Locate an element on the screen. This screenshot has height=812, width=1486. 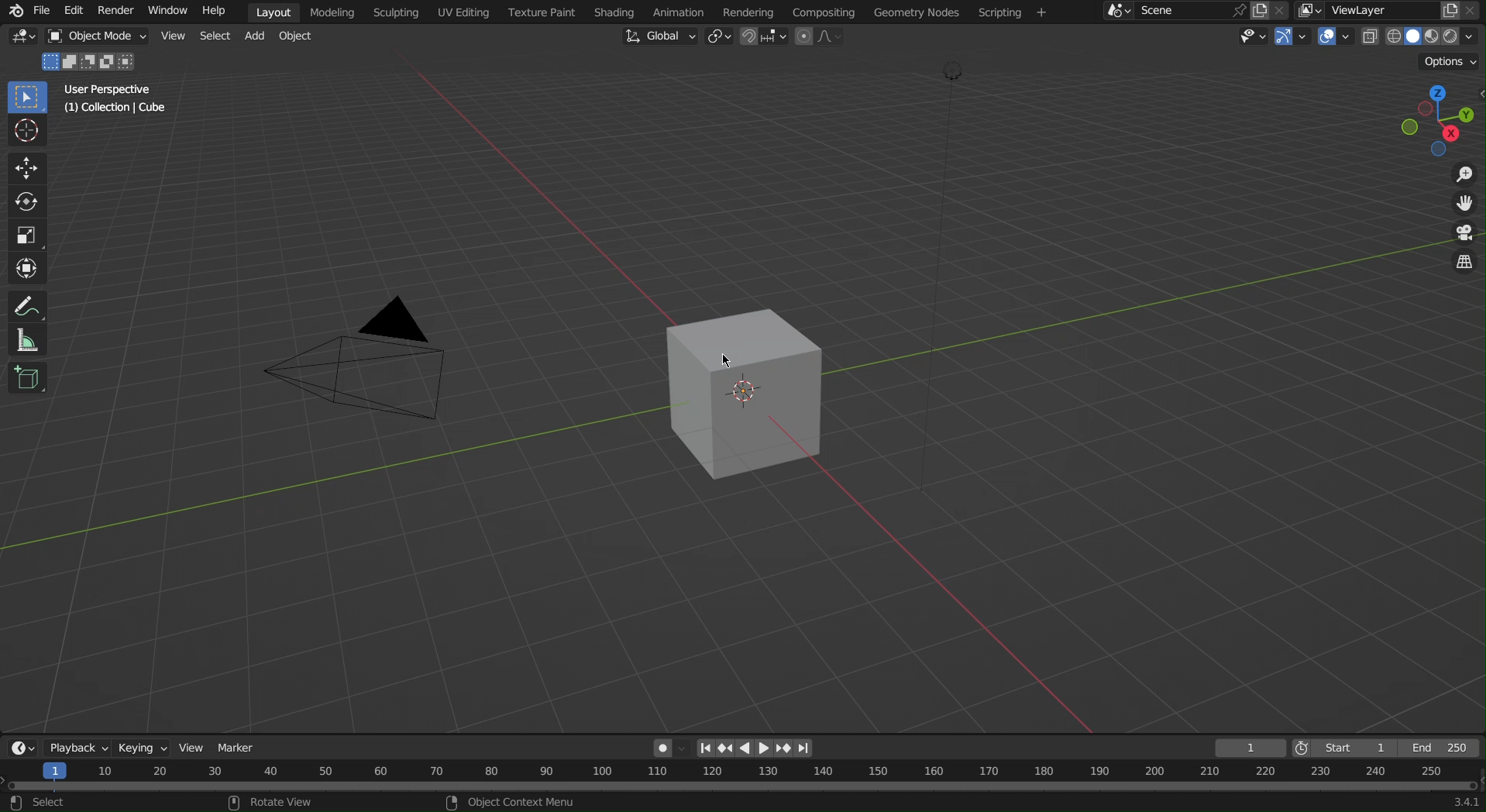
Help is located at coordinates (213, 12).